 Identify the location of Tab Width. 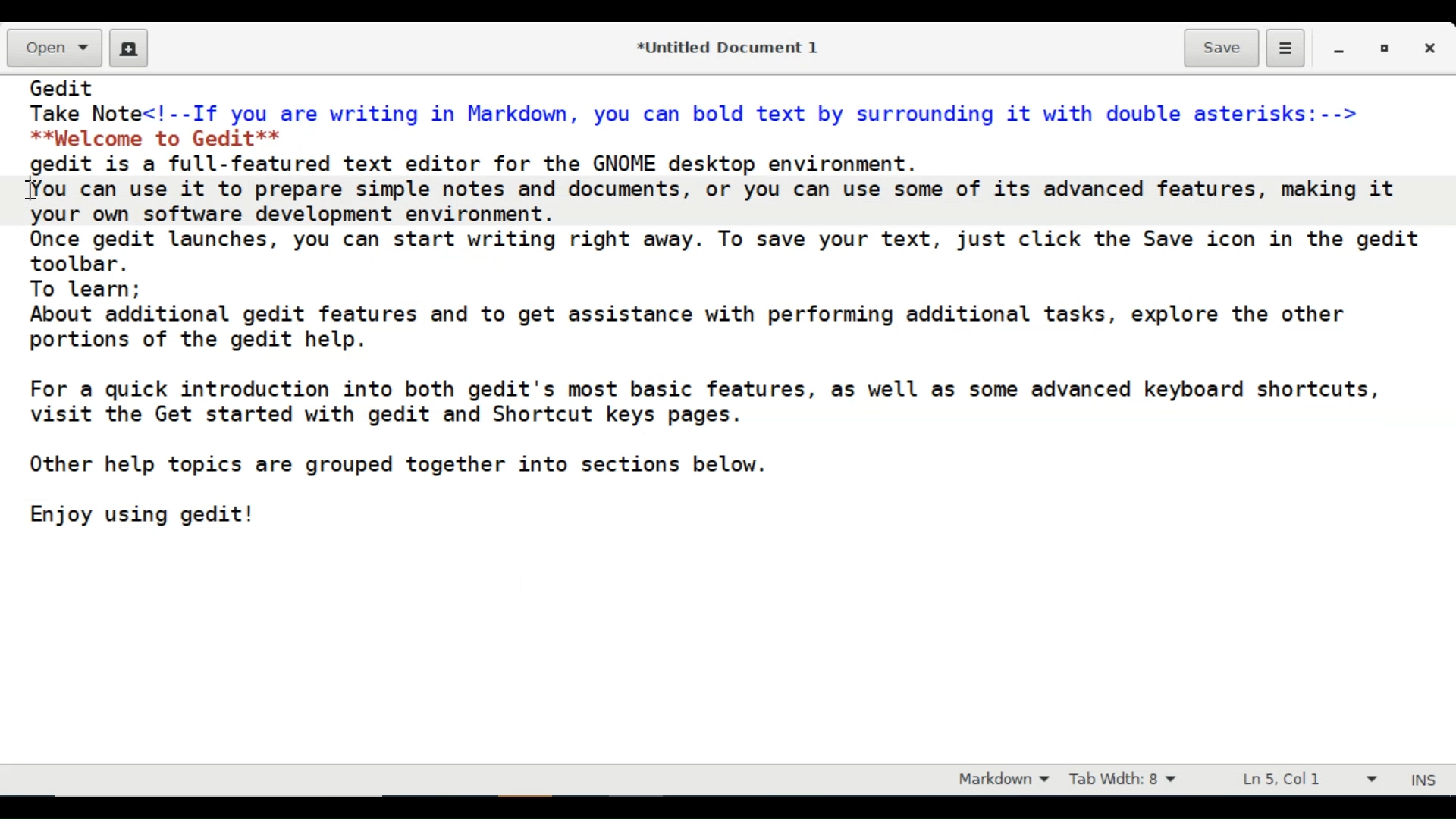
(1134, 780).